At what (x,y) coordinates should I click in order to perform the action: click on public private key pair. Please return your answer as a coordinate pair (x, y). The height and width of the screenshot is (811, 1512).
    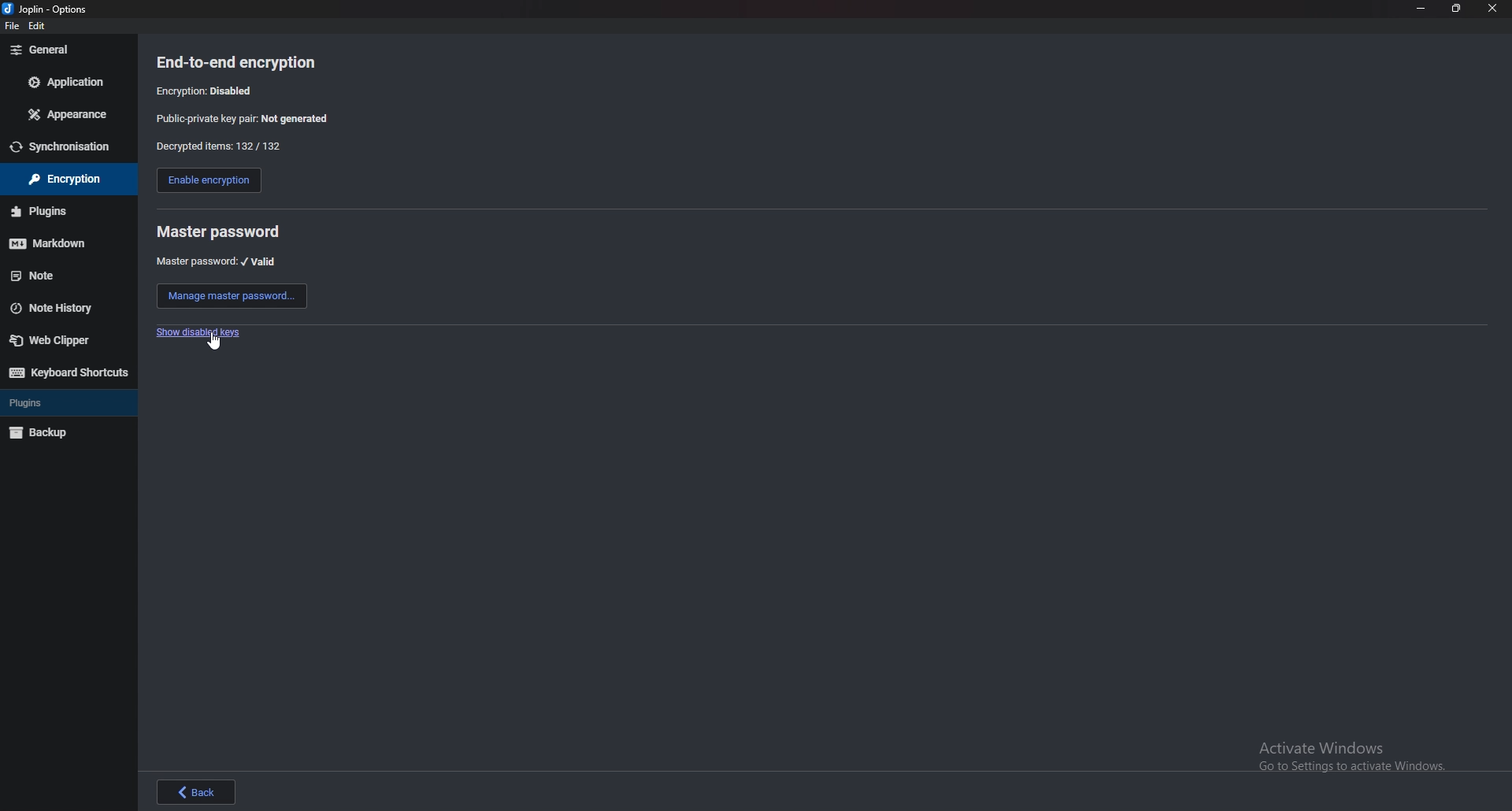
    Looking at the image, I should click on (240, 118).